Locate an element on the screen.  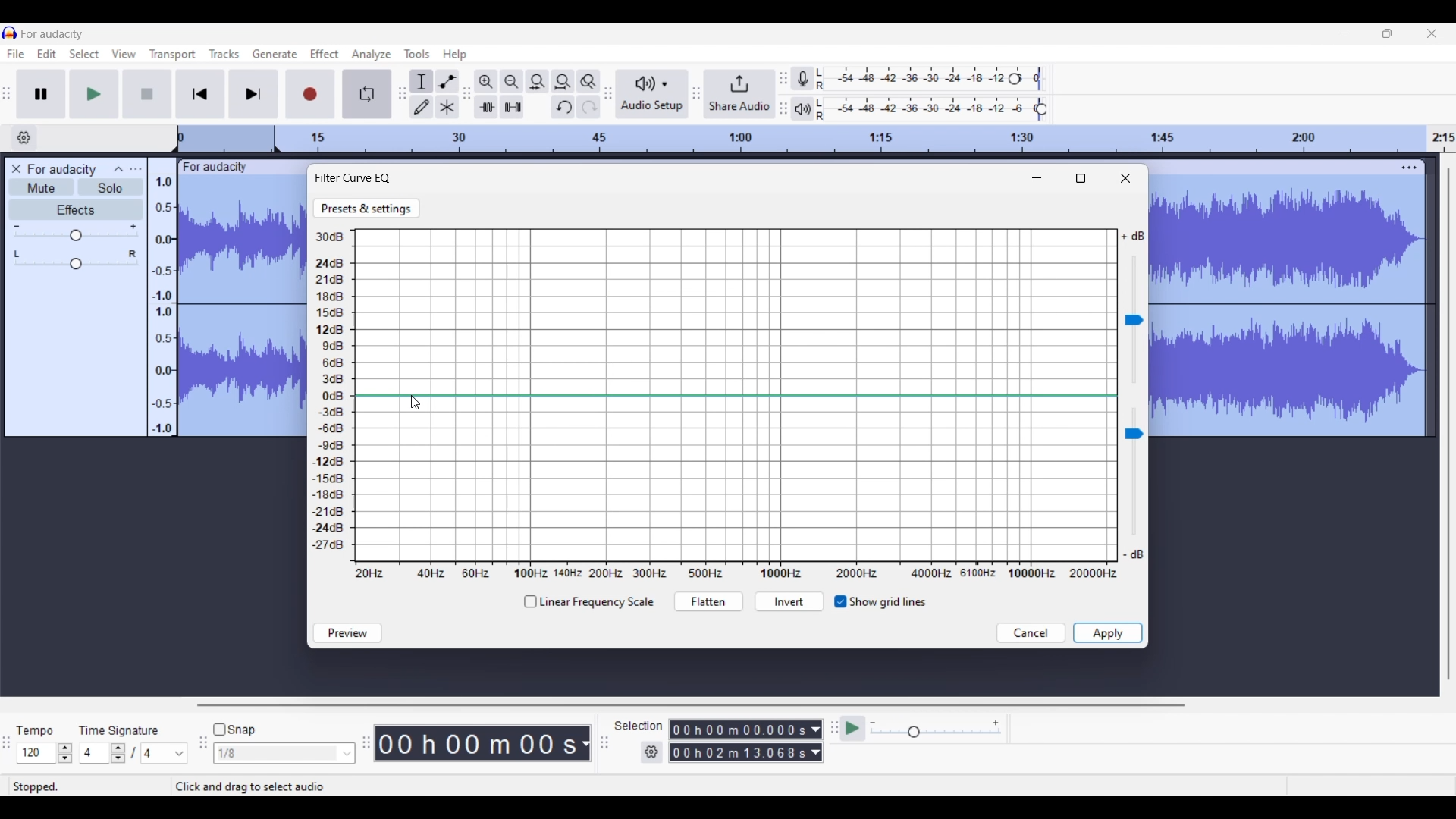
Zoom out is located at coordinates (511, 81).